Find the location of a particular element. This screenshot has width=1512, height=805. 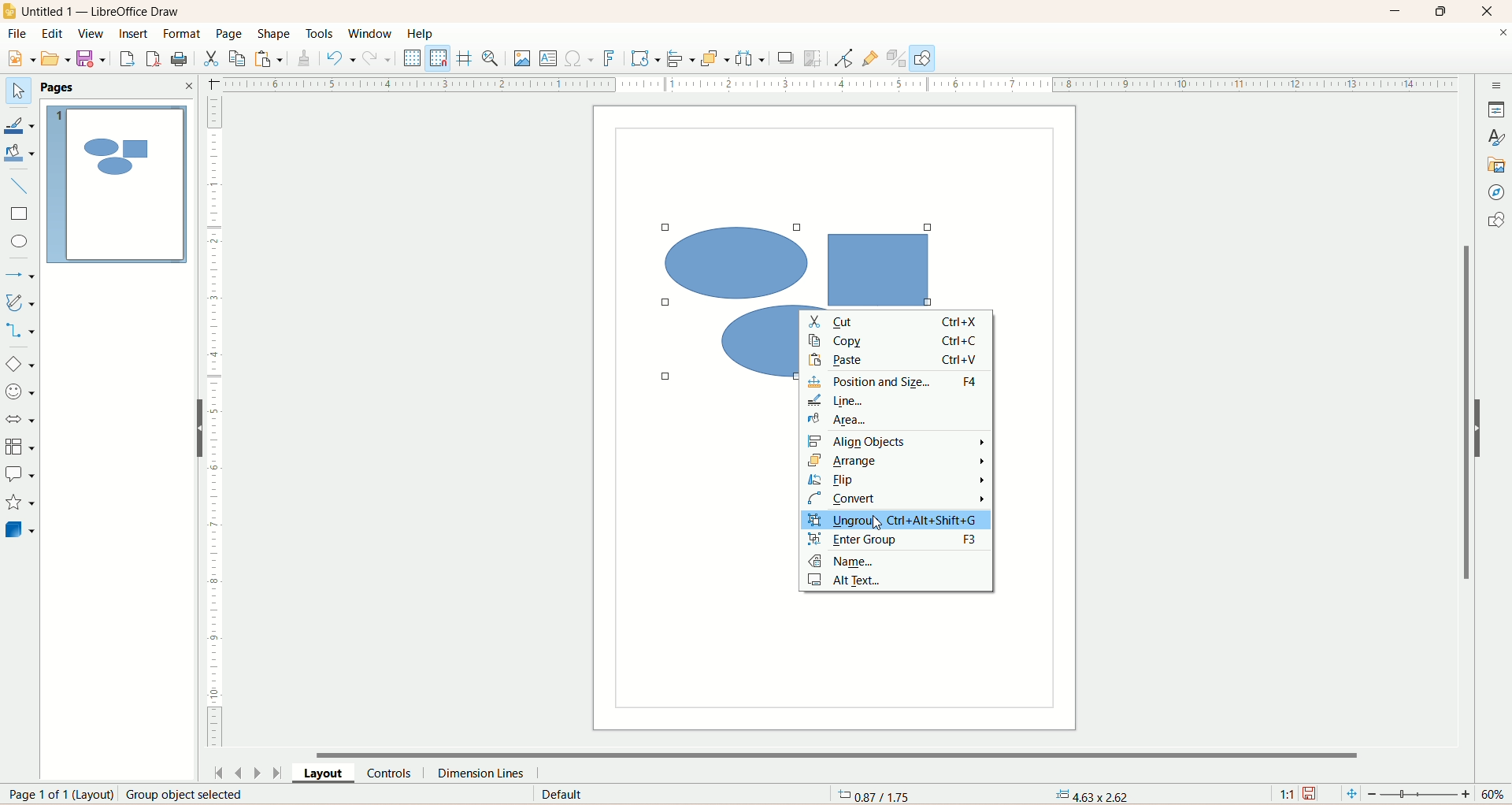

allign objects is located at coordinates (901, 444).